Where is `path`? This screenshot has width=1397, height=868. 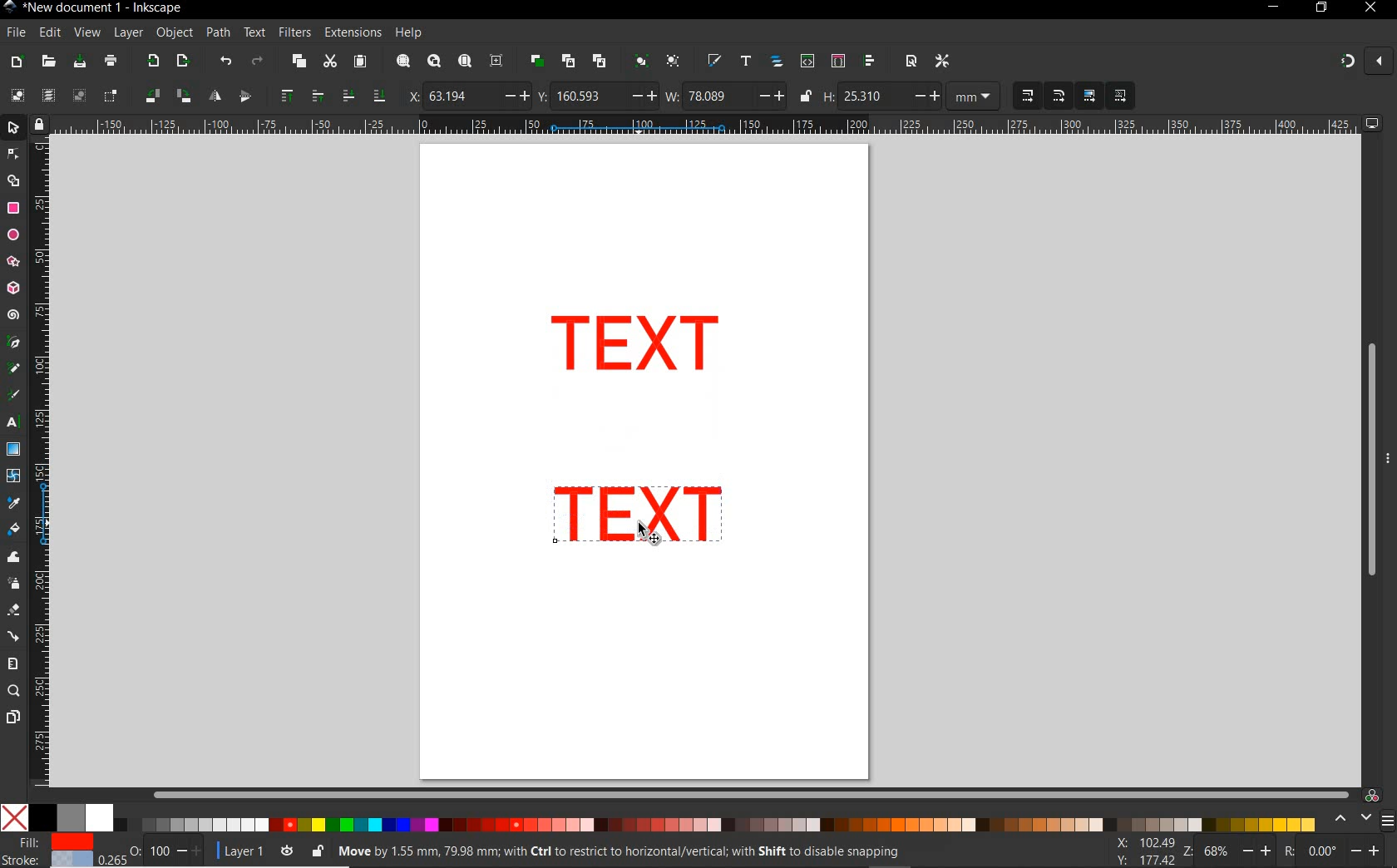
path is located at coordinates (218, 33).